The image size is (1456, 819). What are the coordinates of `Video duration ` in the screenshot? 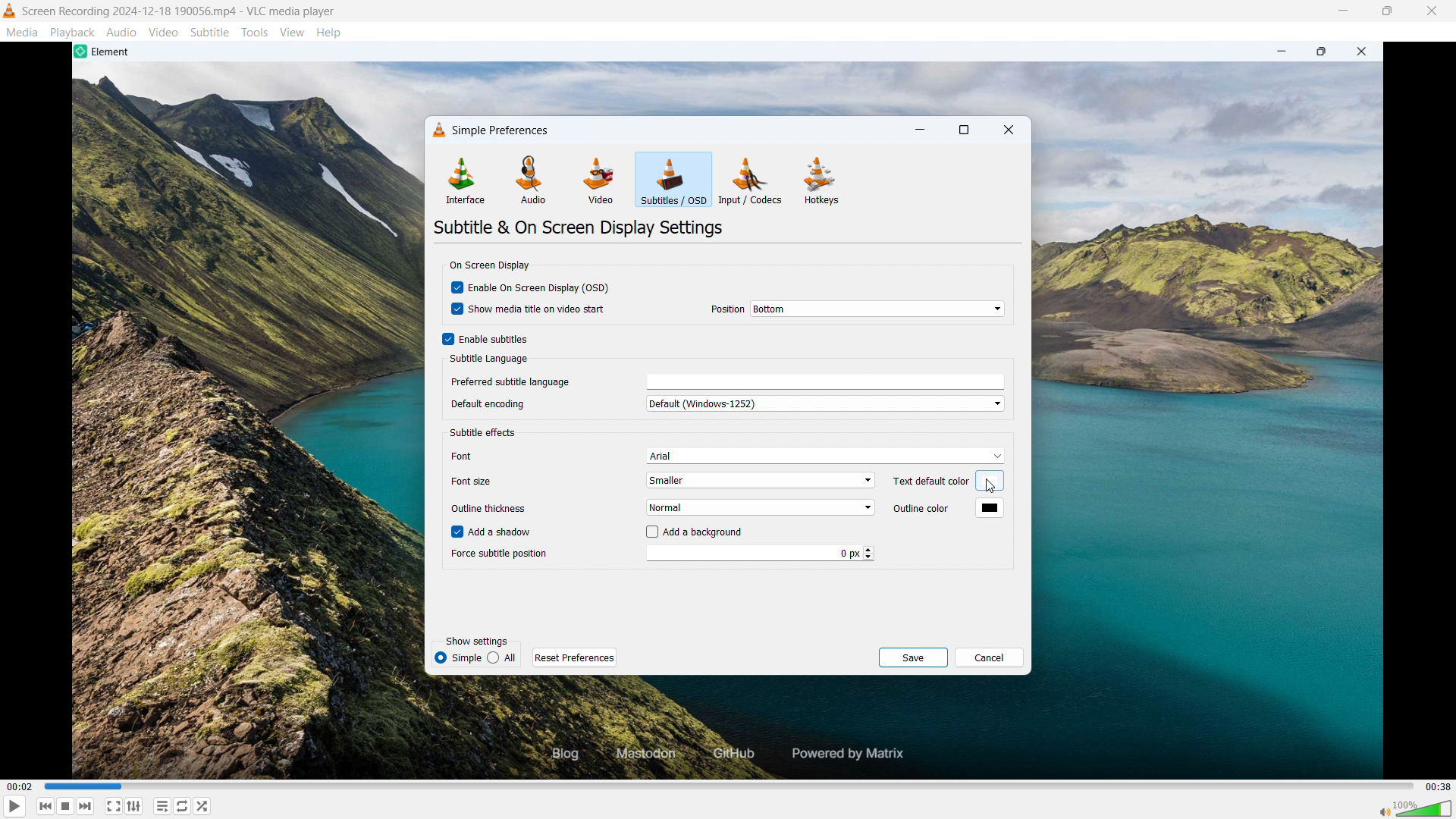 It's located at (1438, 787).